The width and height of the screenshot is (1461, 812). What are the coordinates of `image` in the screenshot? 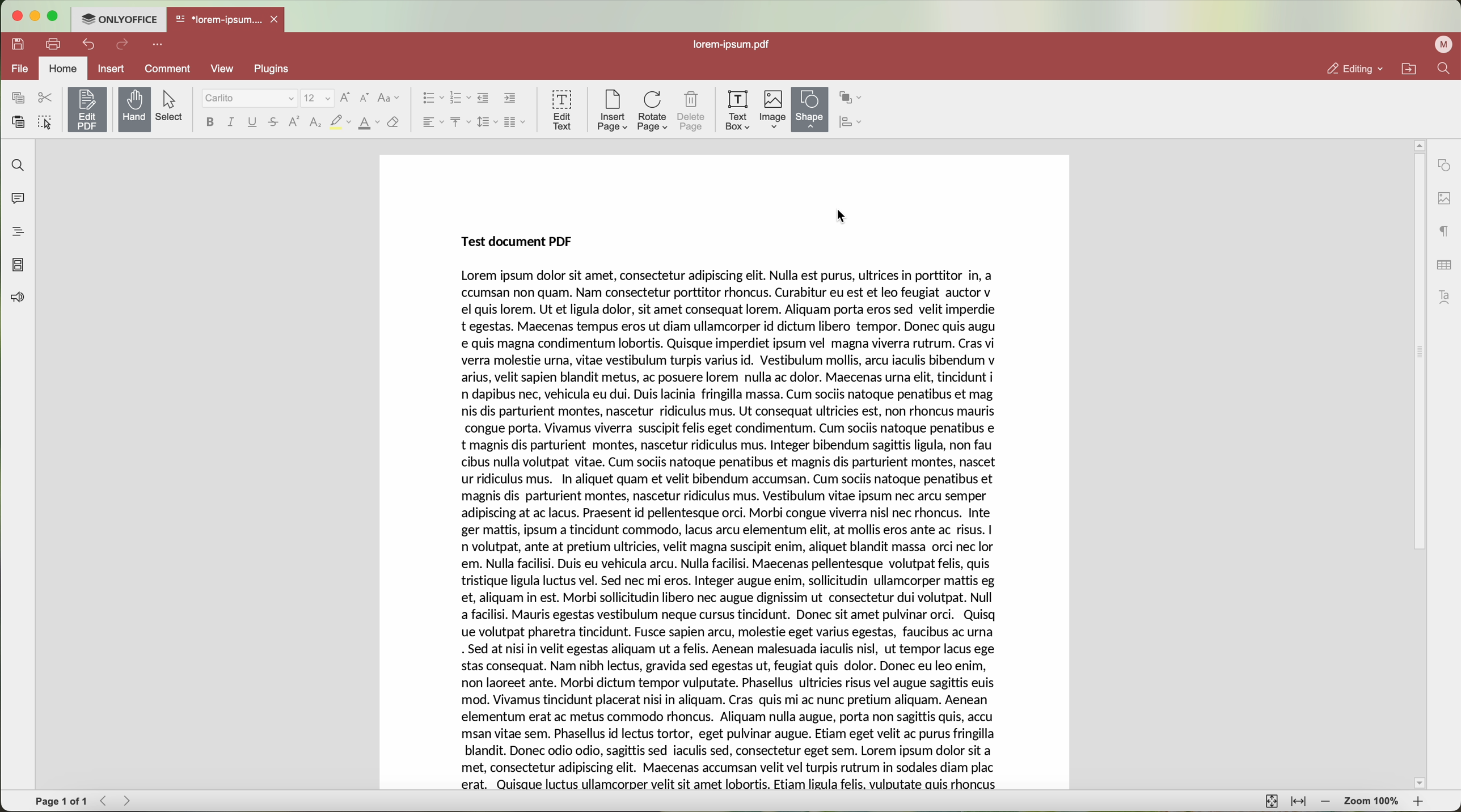 It's located at (773, 110).